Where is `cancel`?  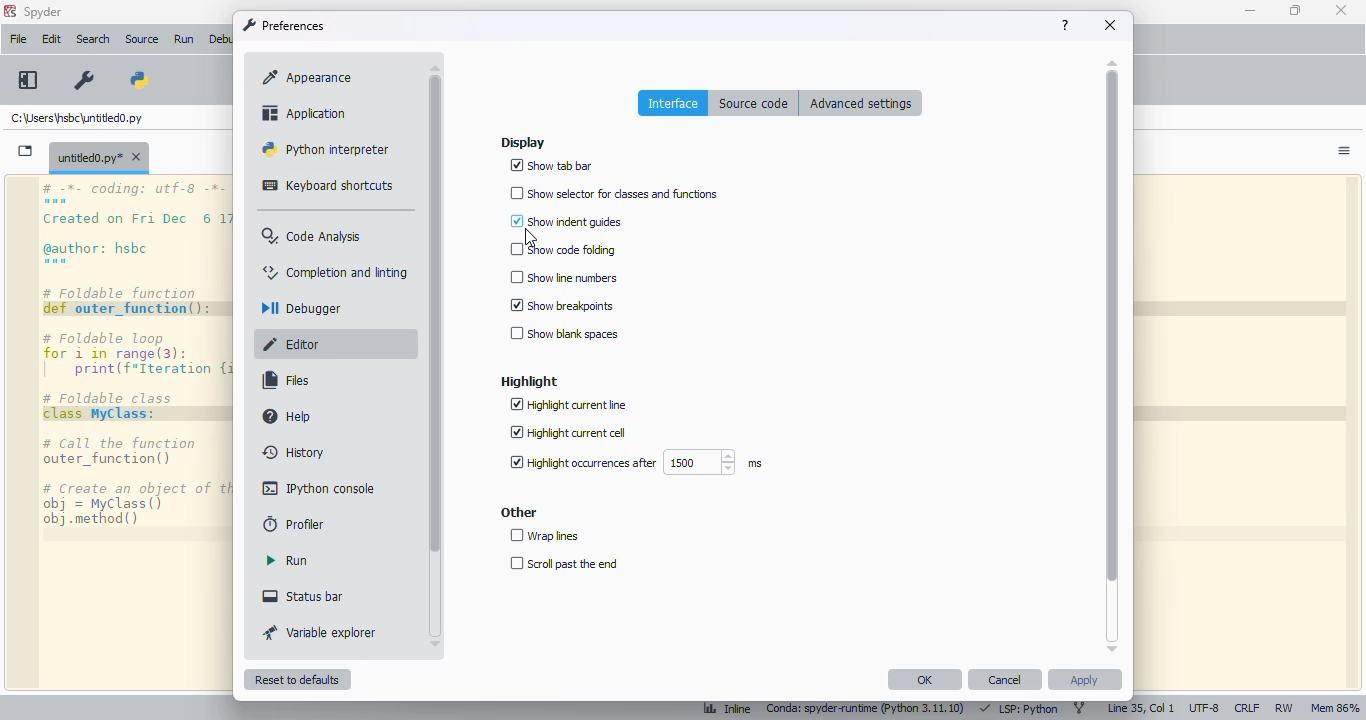 cancel is located at coordinates (1004, 679).